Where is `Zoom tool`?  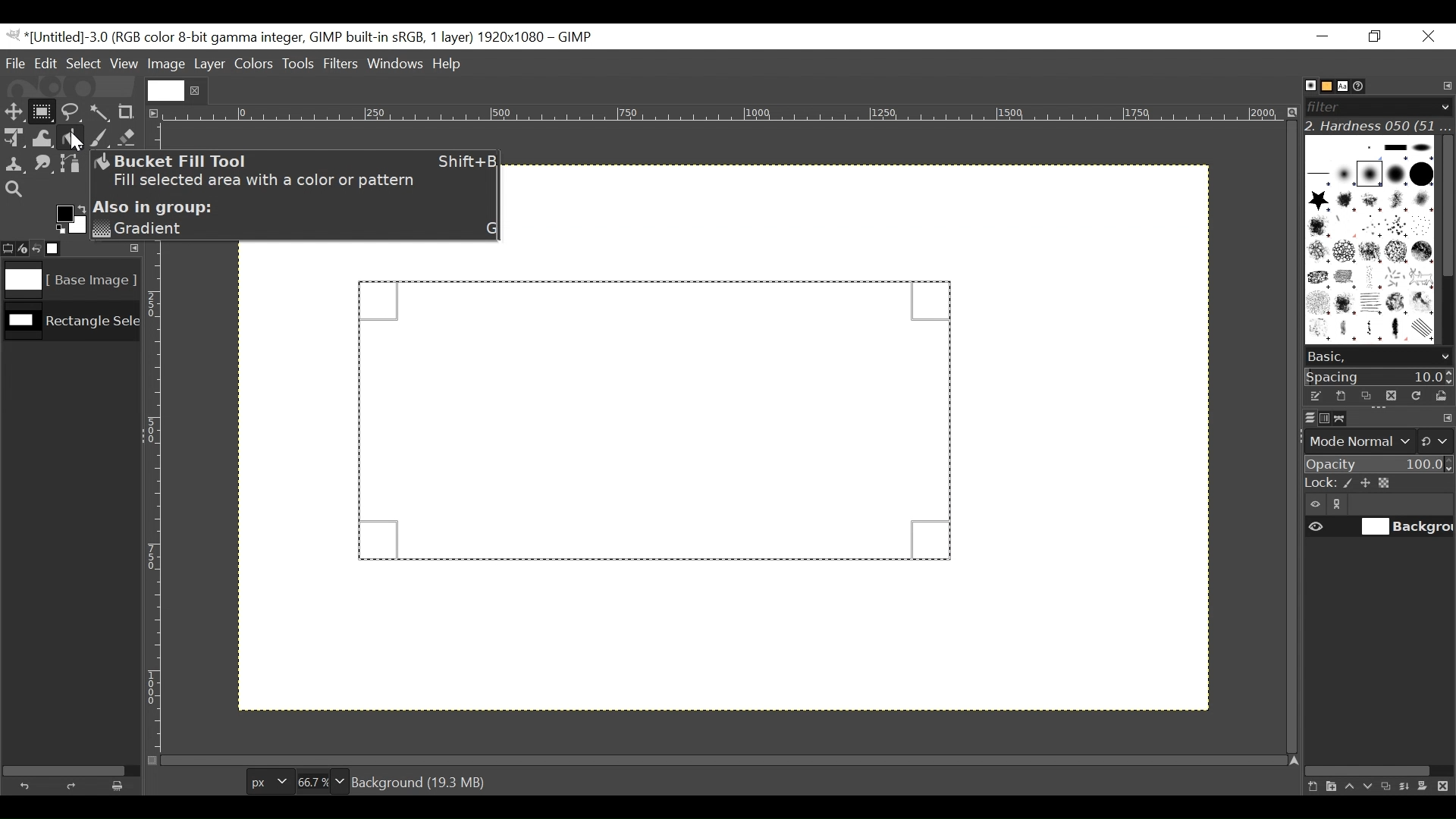 Zoom tool is located at coordinates (14, 188).